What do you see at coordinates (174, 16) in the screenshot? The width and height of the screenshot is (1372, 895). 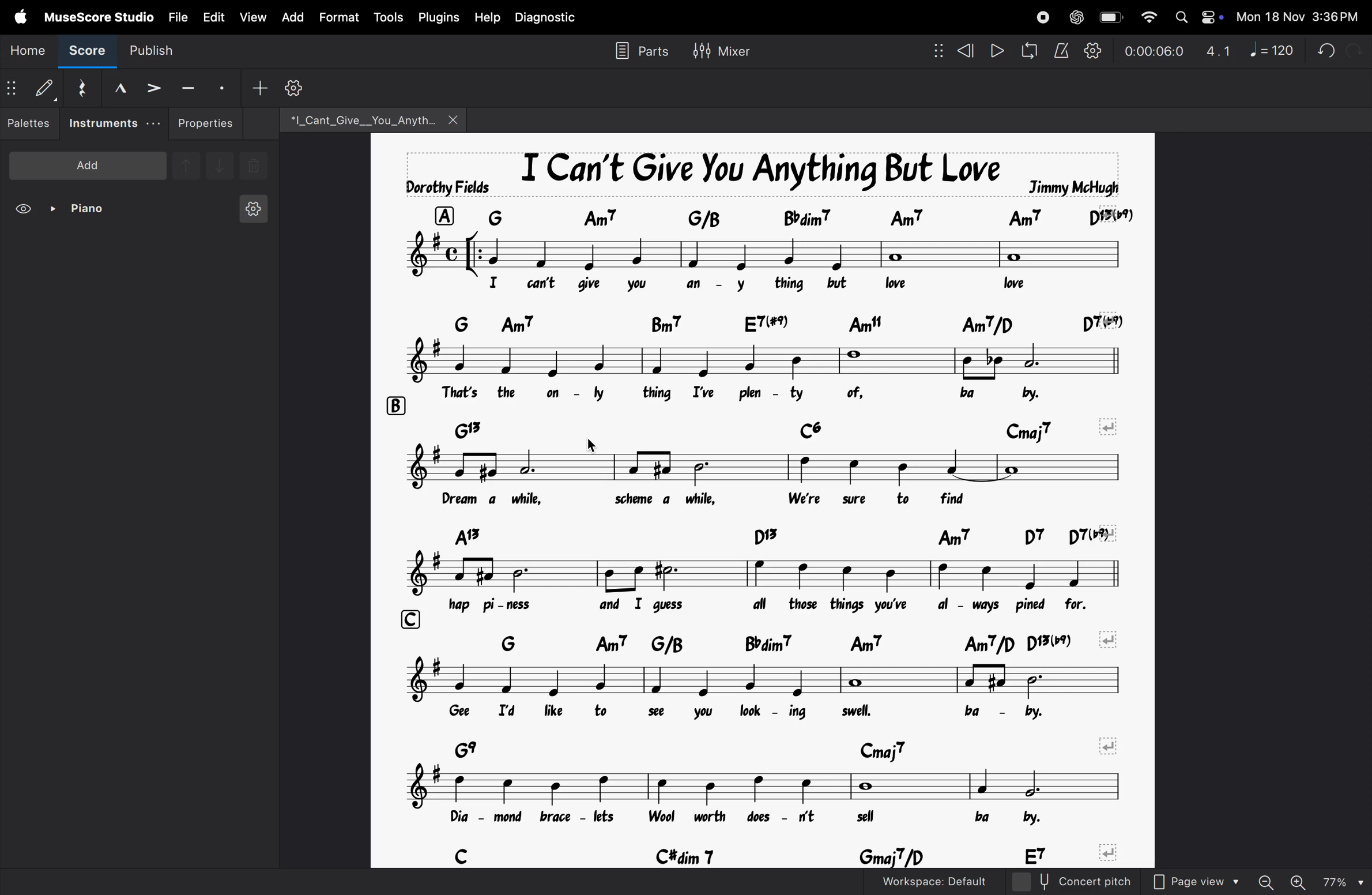 I see `file` at bounding box center [174, 16].